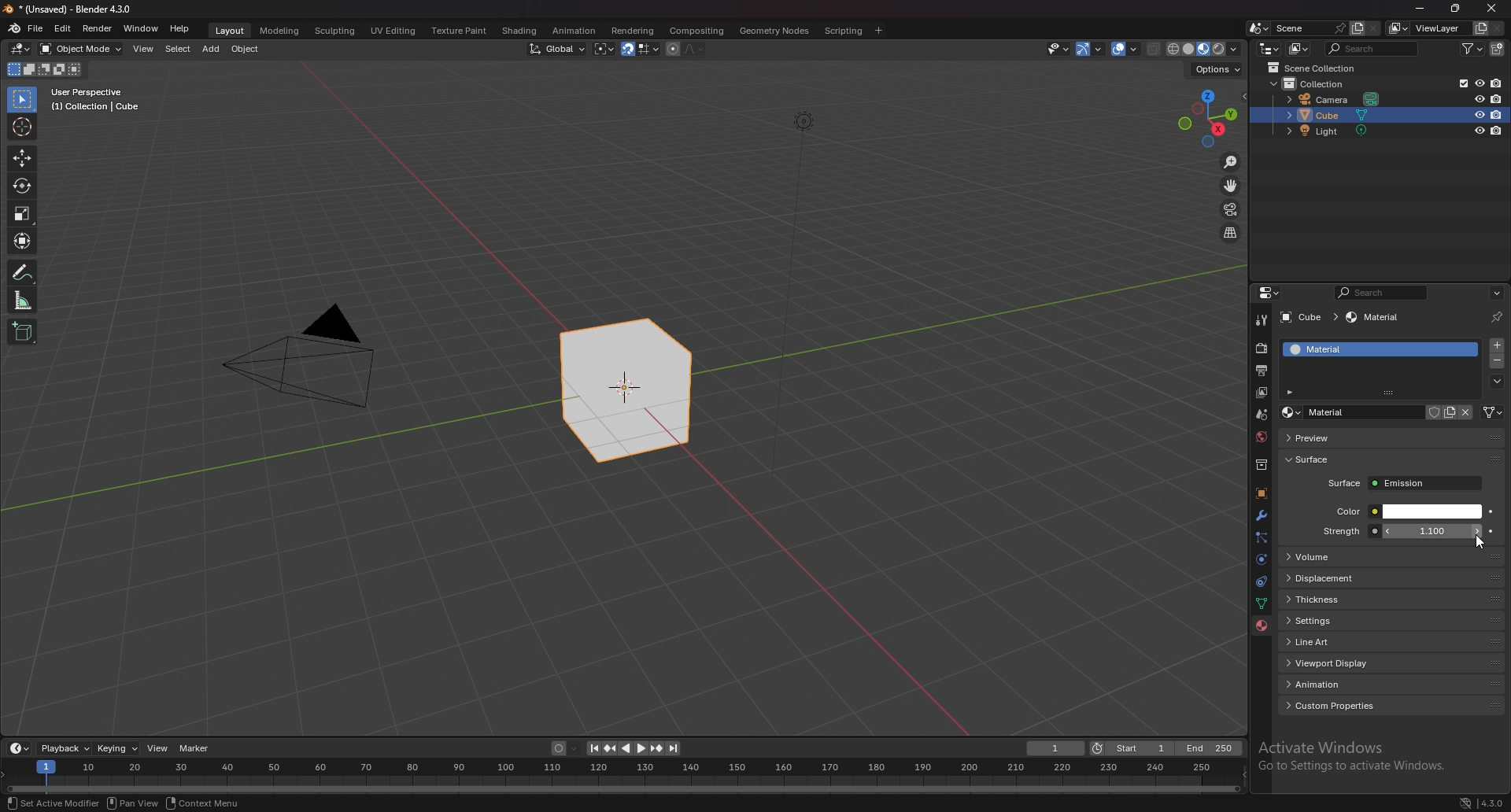 This screenshot has height=812, width=1511. Describe the element at coordinates (1497, 382) in the screenshot. I see `dropdown` at that location.